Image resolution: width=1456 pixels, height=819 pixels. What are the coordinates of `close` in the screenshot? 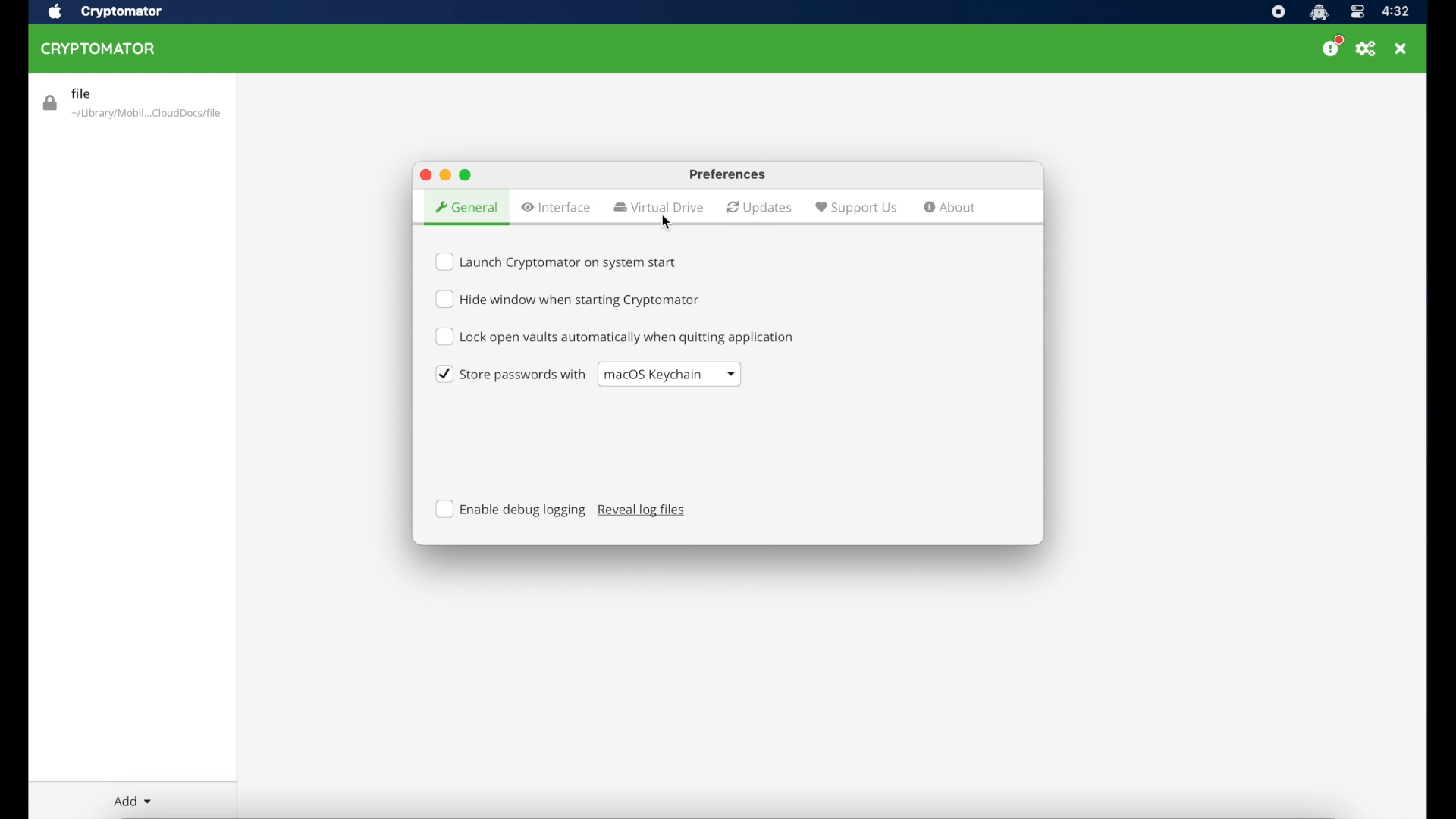 It's located at (425, 176).